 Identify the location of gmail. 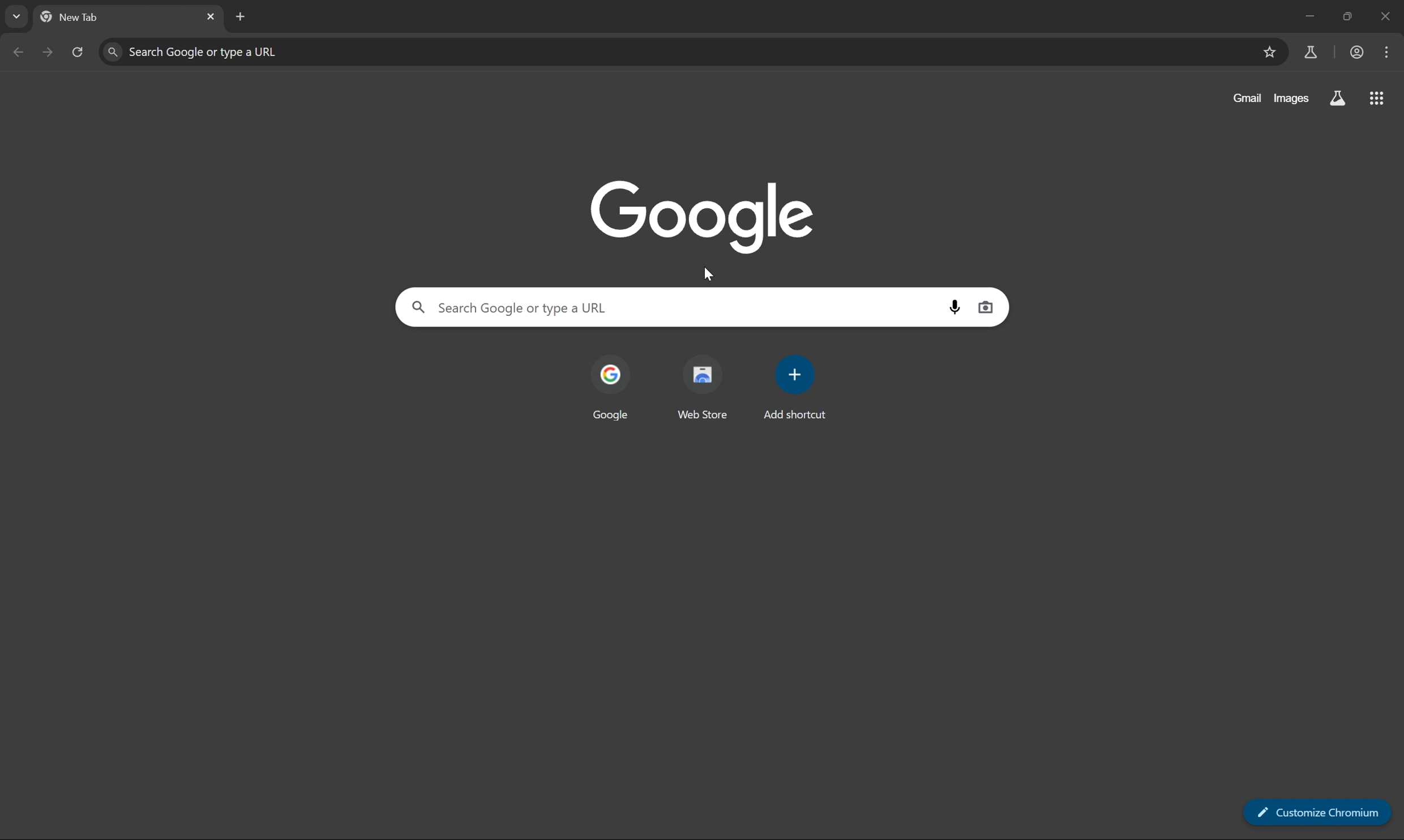
(1248, 97).